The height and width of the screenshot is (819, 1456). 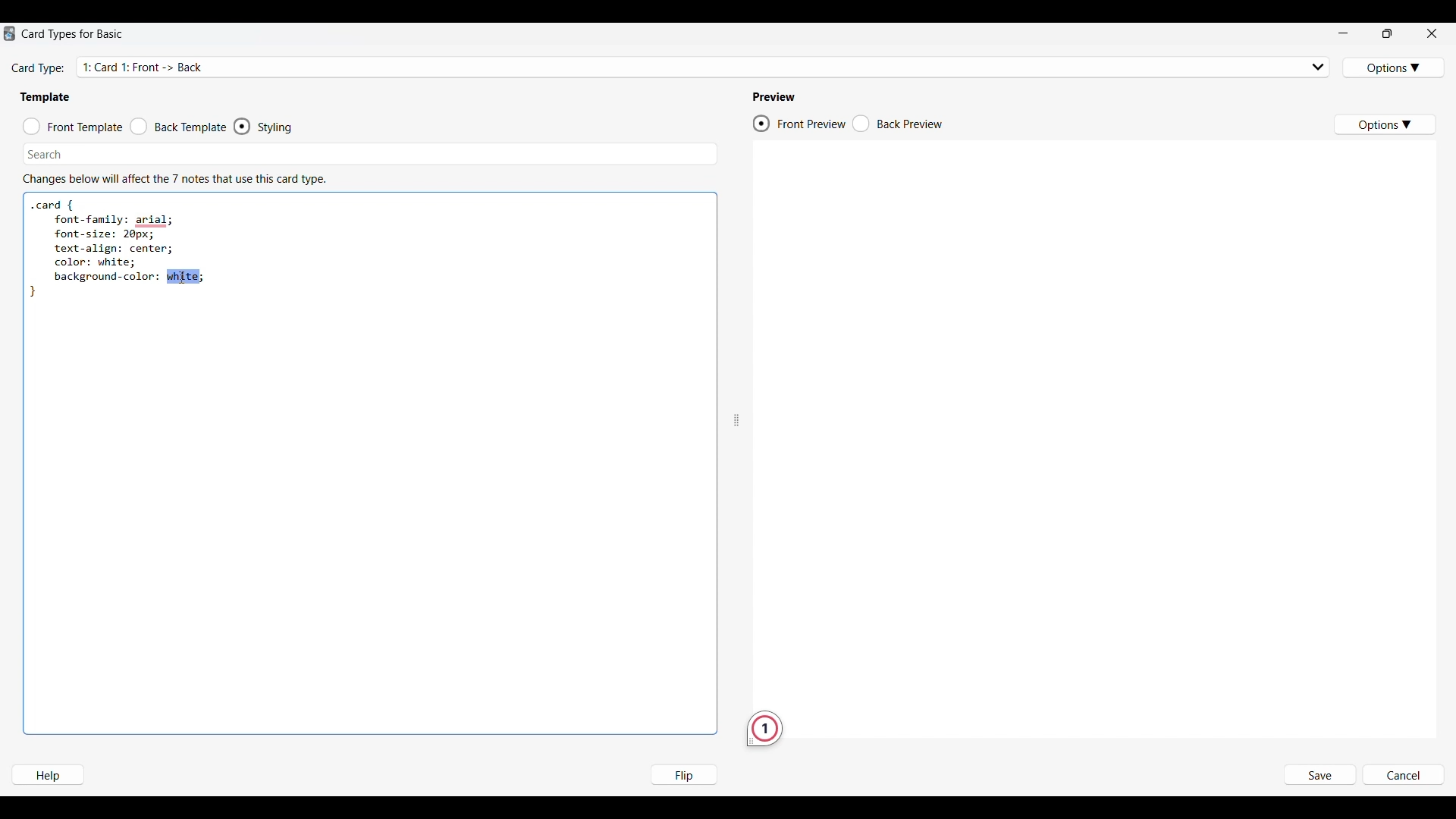 I want to click on Save, so click(x=1319, y=776).